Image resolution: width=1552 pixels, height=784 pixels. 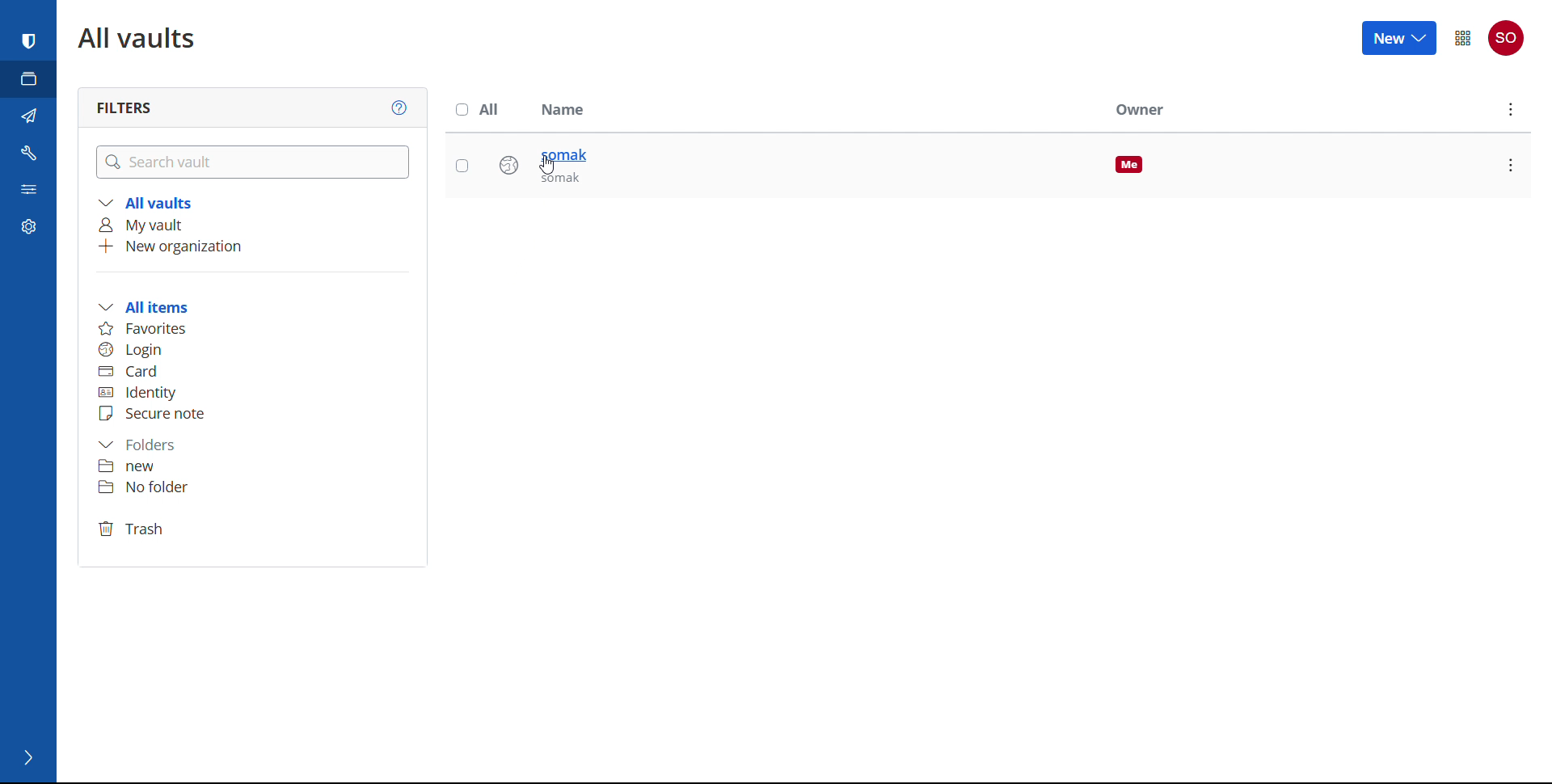 I want to click on password manager, so click(x=28, y=42).